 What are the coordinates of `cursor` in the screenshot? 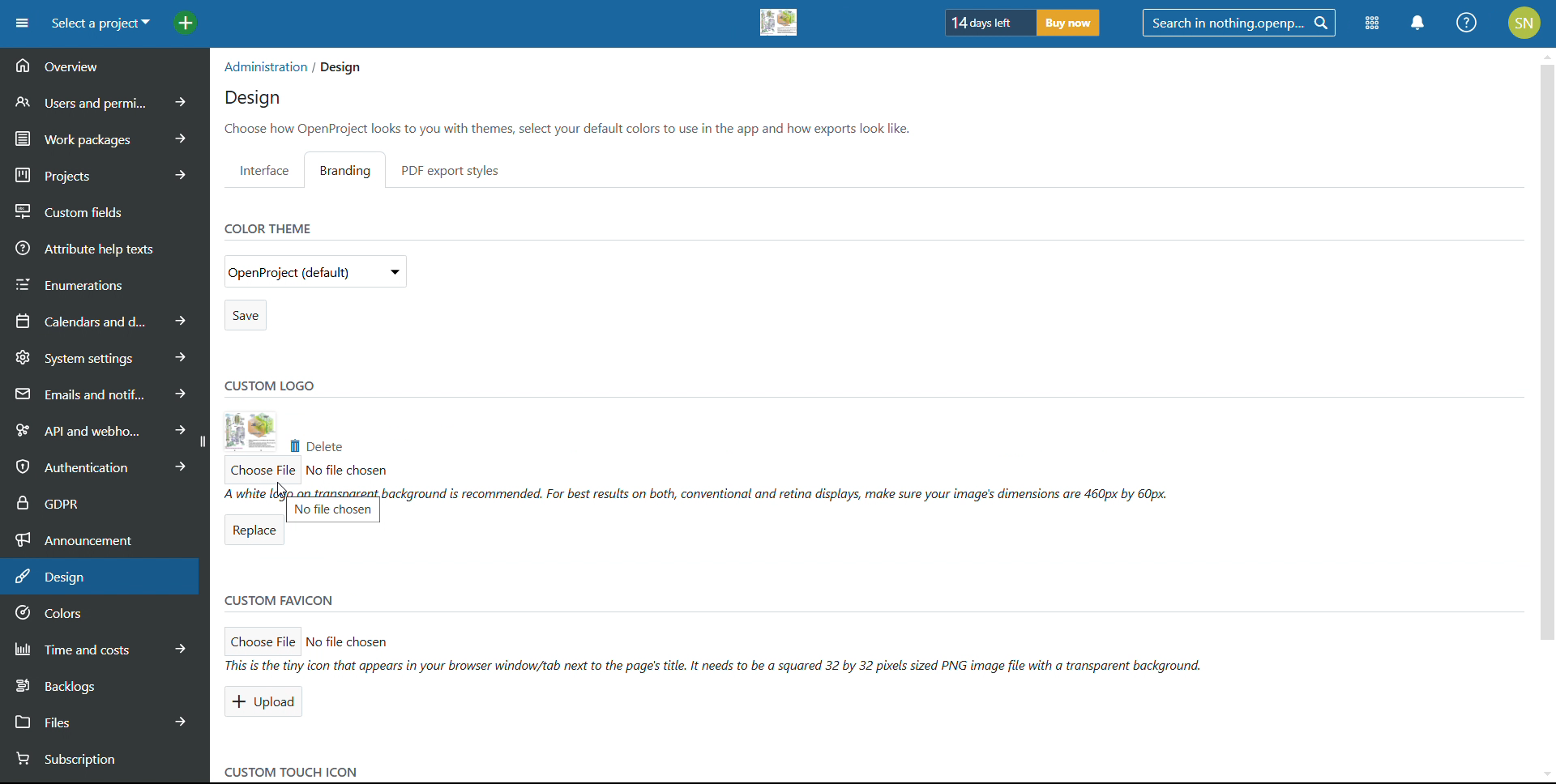 It's located at (284, 492).